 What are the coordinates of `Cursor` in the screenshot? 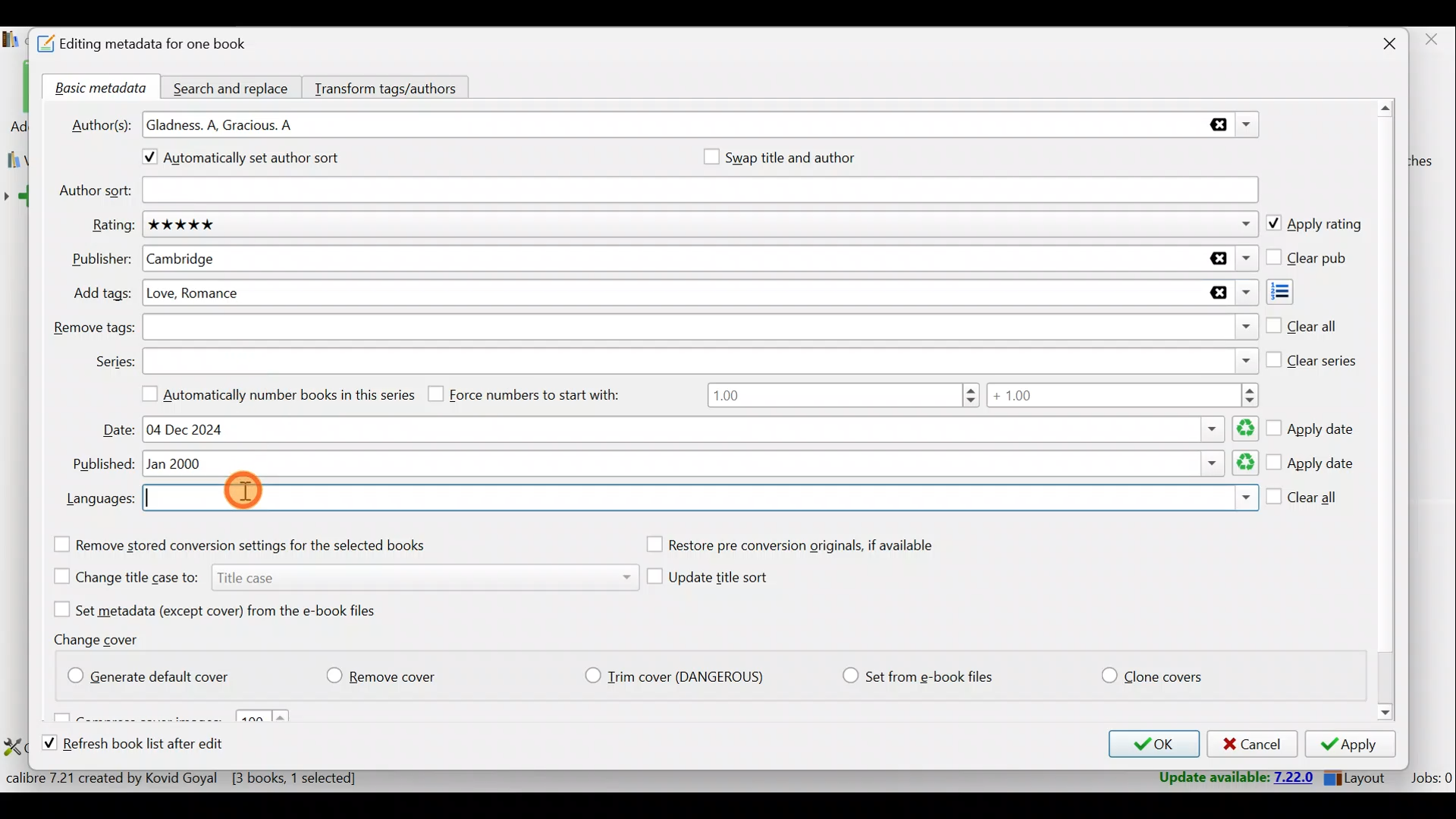 It's located at (246, 495).